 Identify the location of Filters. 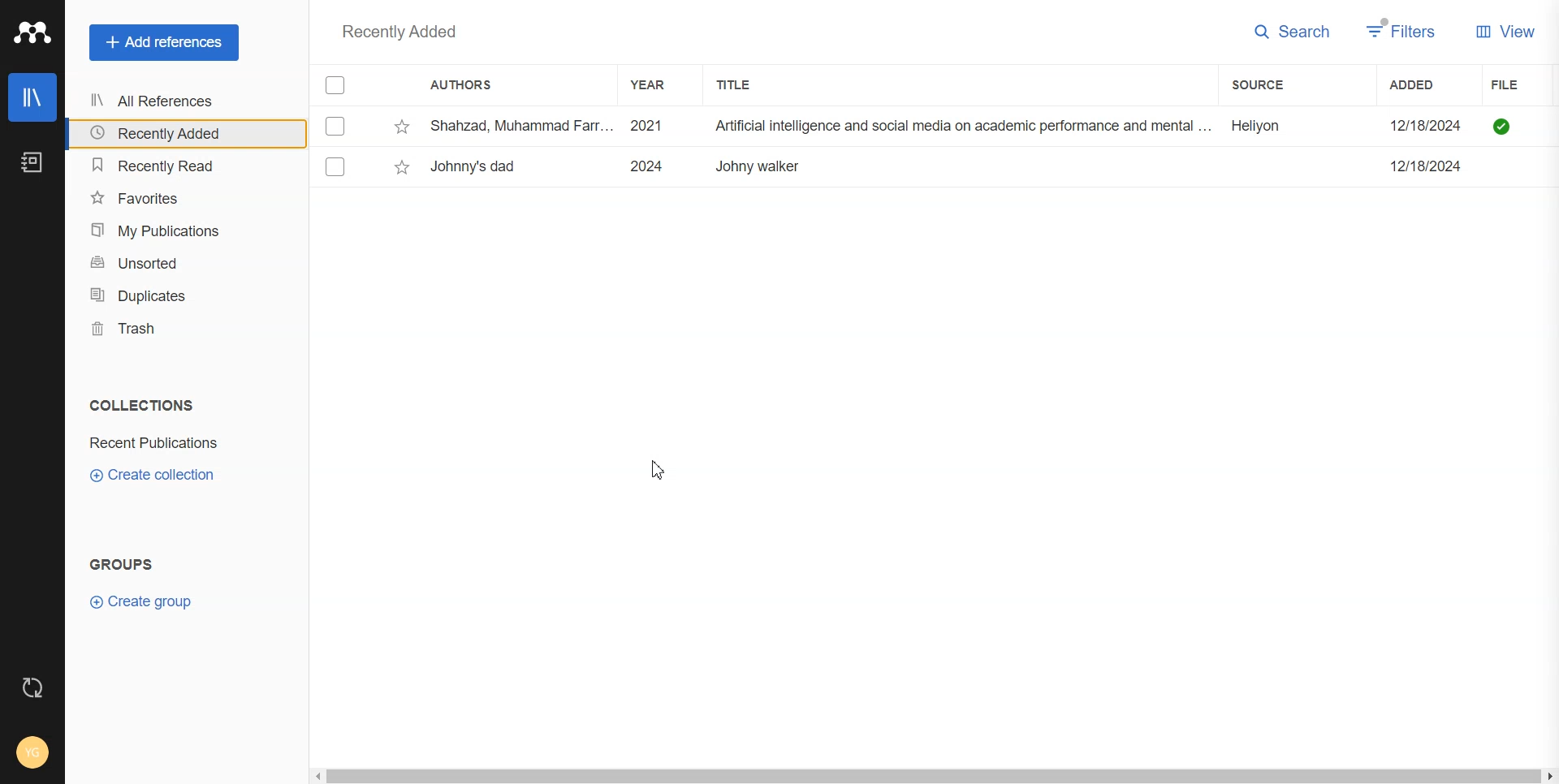
(1402, 31).